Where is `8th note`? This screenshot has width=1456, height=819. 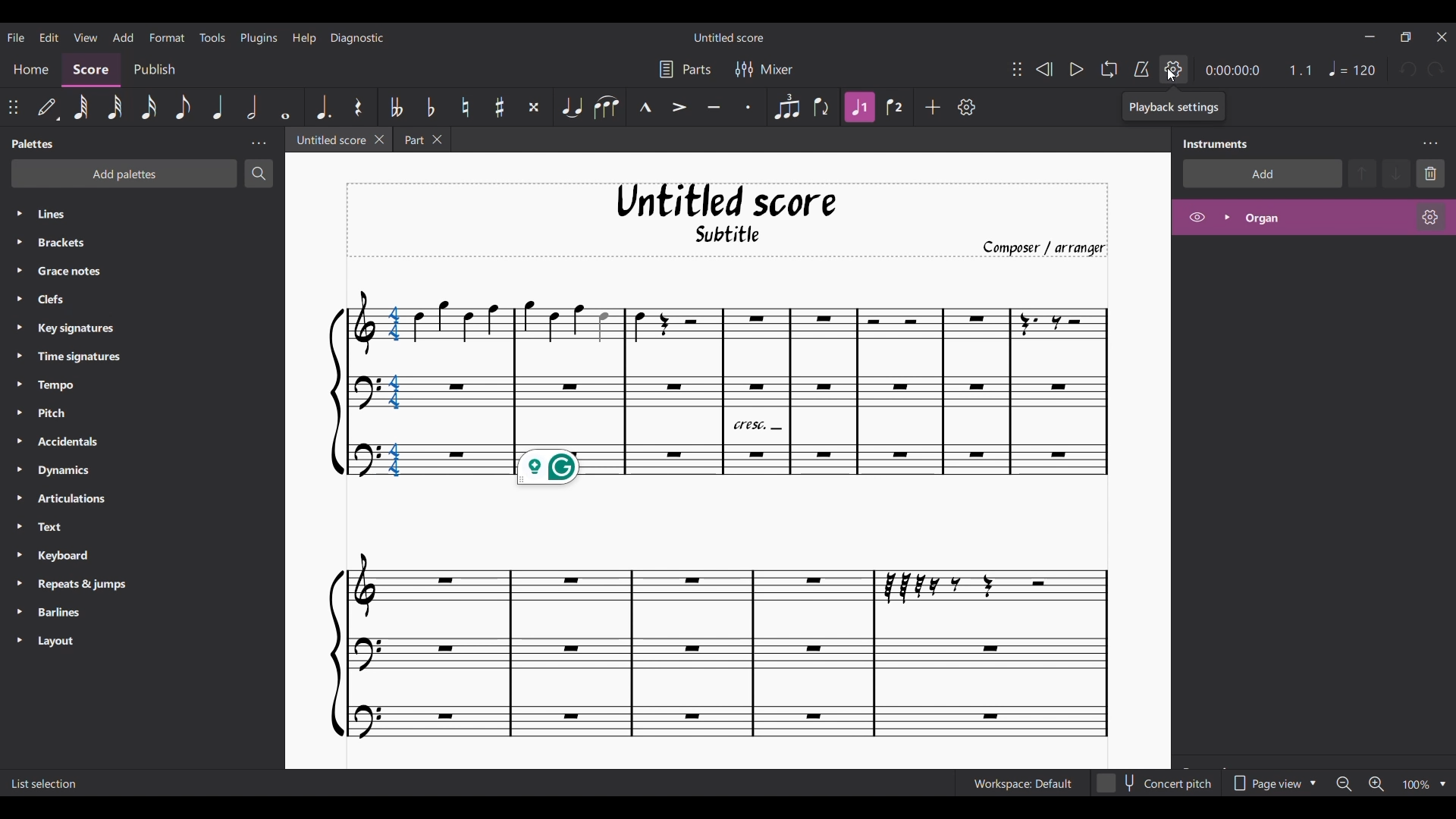 8th note is located at coordinates (182, 108).